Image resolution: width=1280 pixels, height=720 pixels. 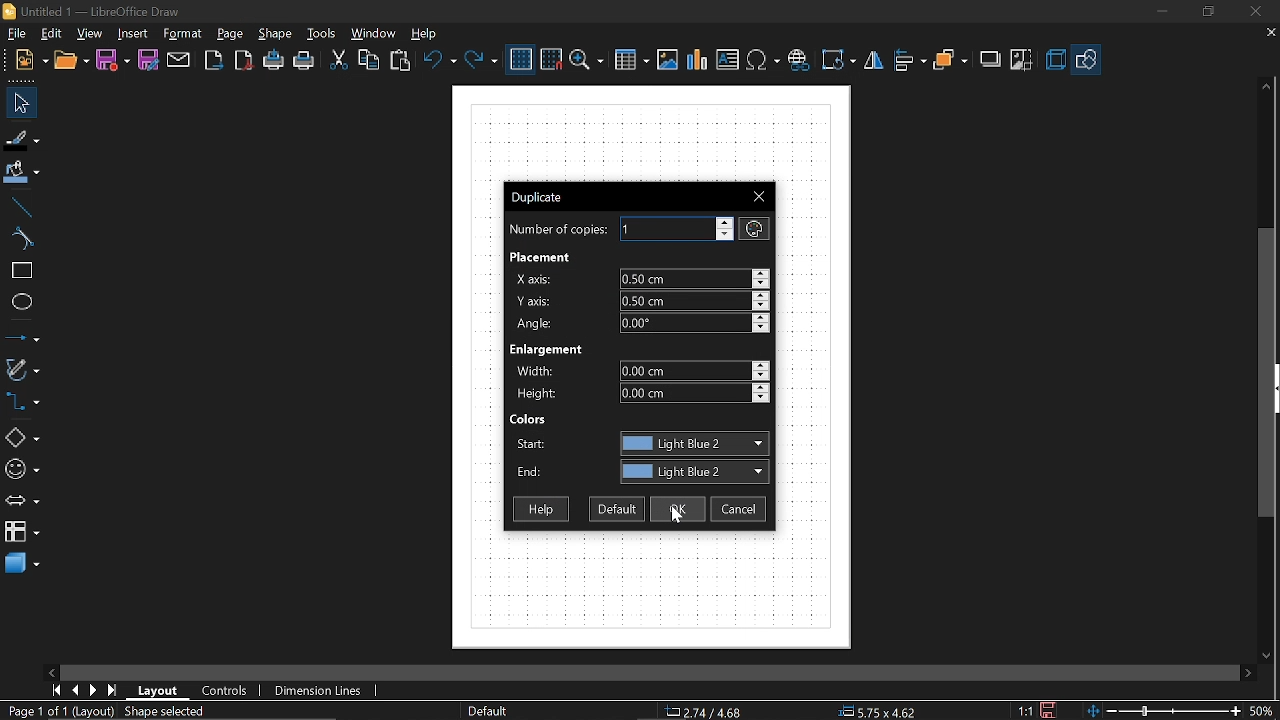 I want to click on Open, so click(x=72, y=62).